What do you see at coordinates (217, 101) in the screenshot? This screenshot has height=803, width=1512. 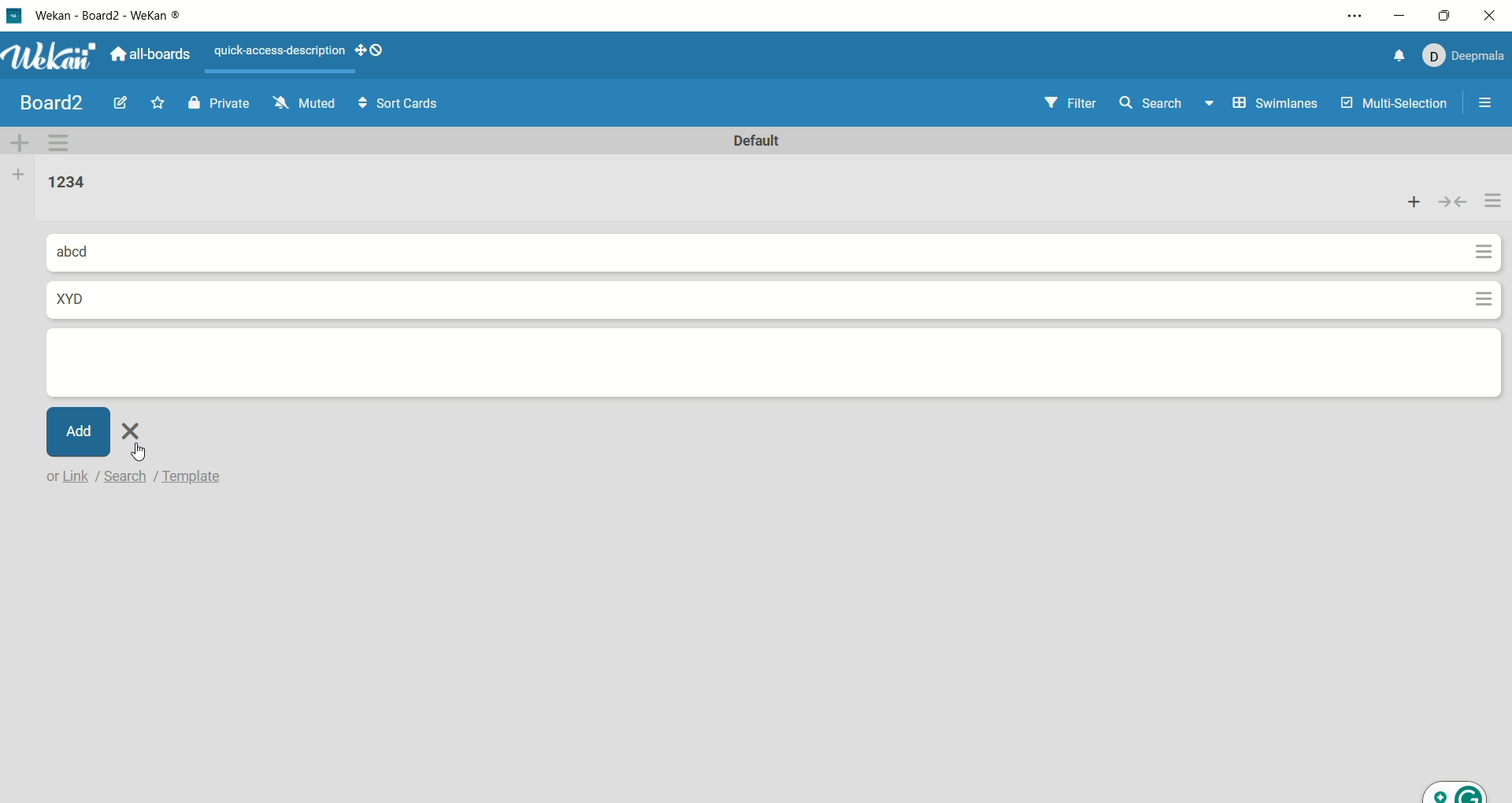 I see `private` at bounding box center [217, 101].